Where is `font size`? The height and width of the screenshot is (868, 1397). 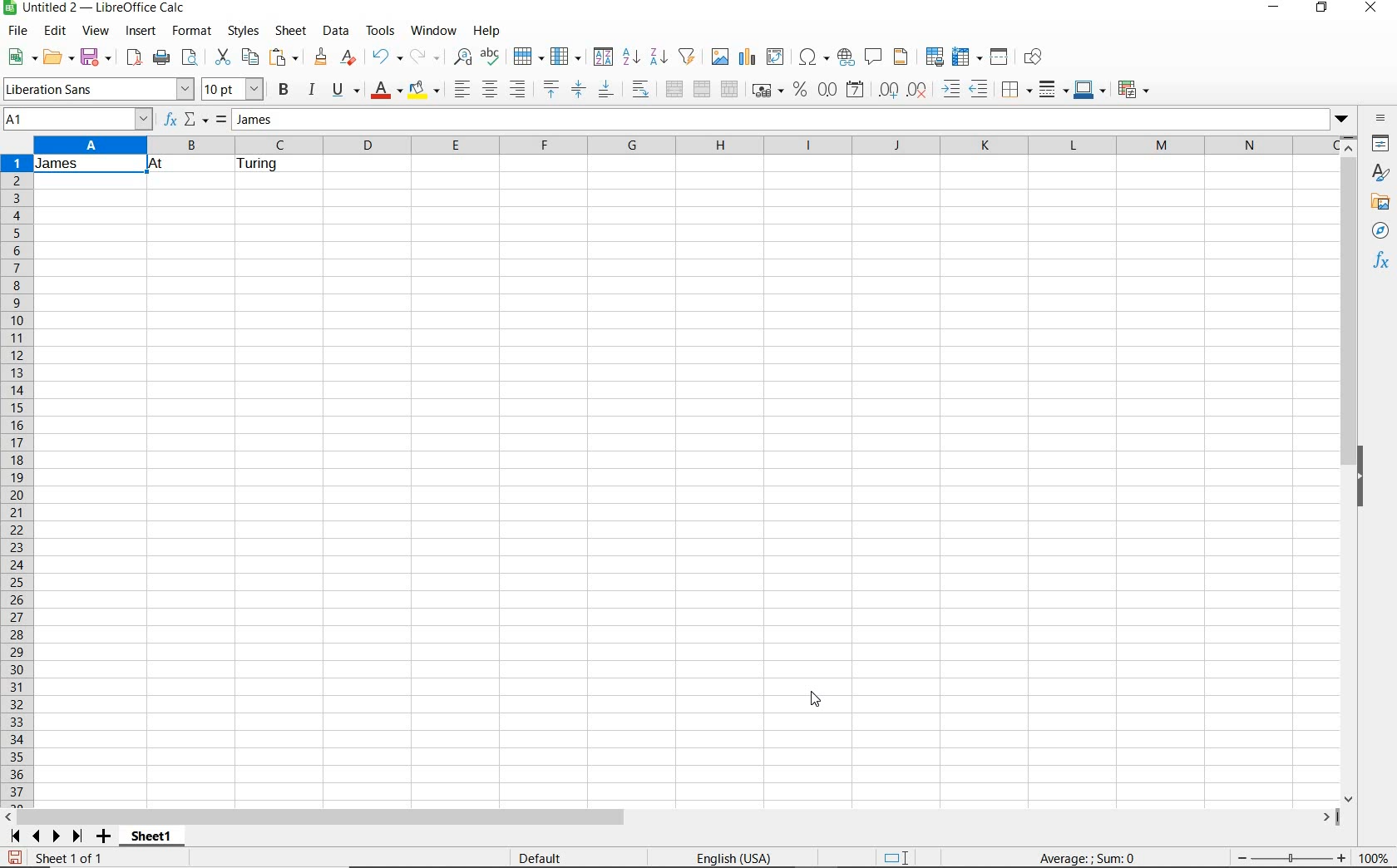
font size is located at coordinates (234, 89).